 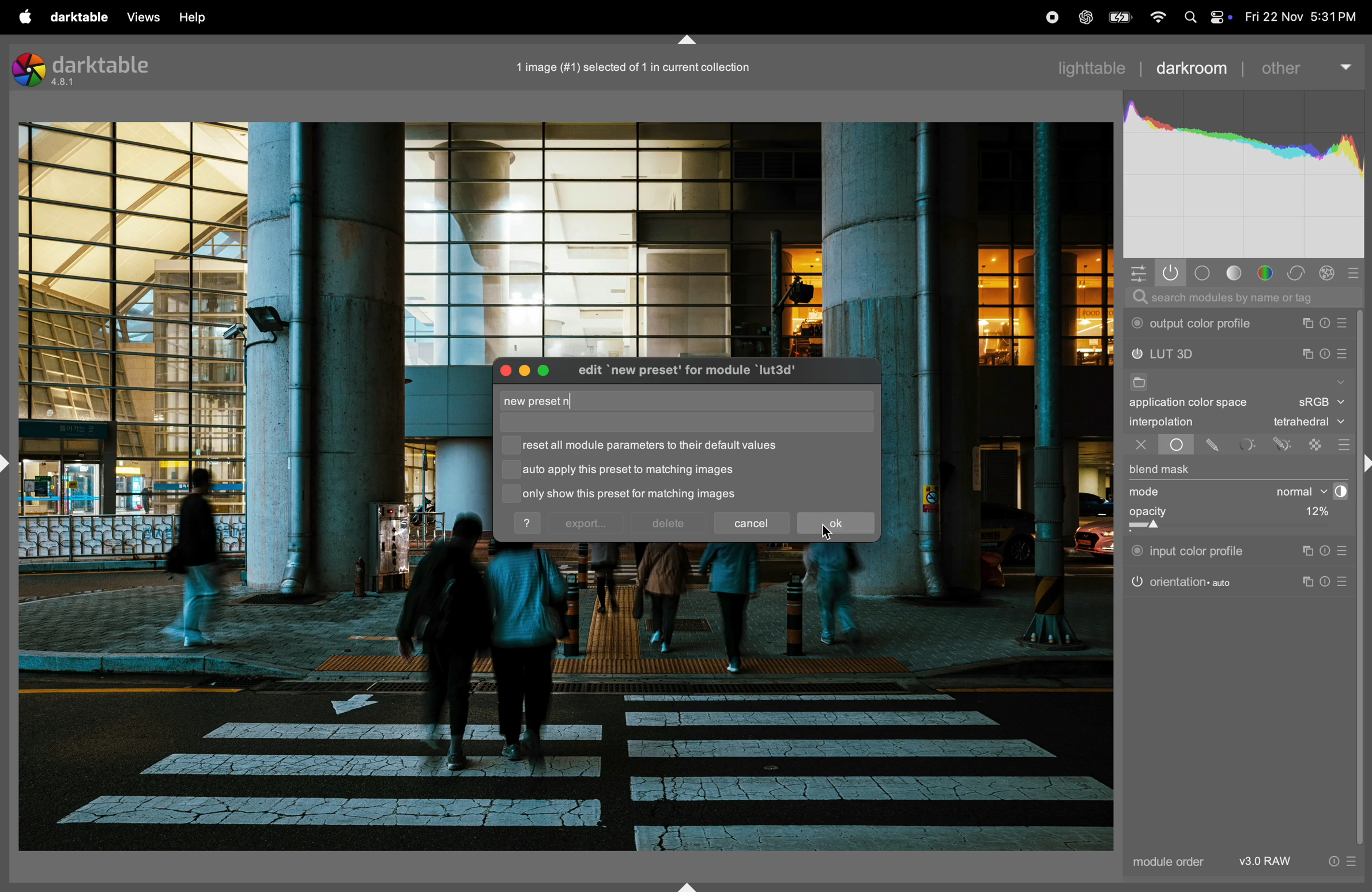 I want to click on date and time, so click(x=1302, y=17).